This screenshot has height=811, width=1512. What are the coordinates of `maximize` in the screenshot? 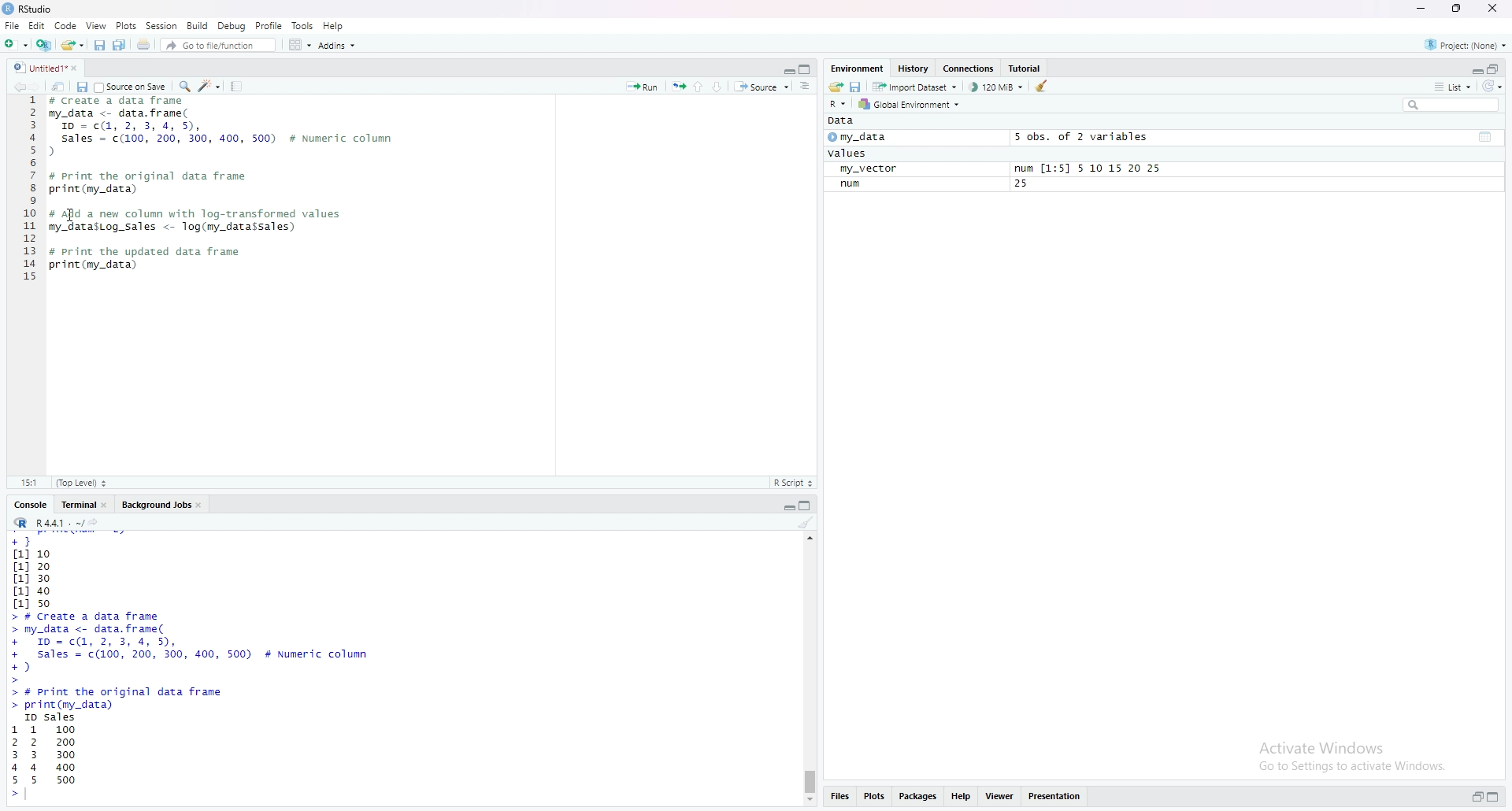 It's located at (808, 505).